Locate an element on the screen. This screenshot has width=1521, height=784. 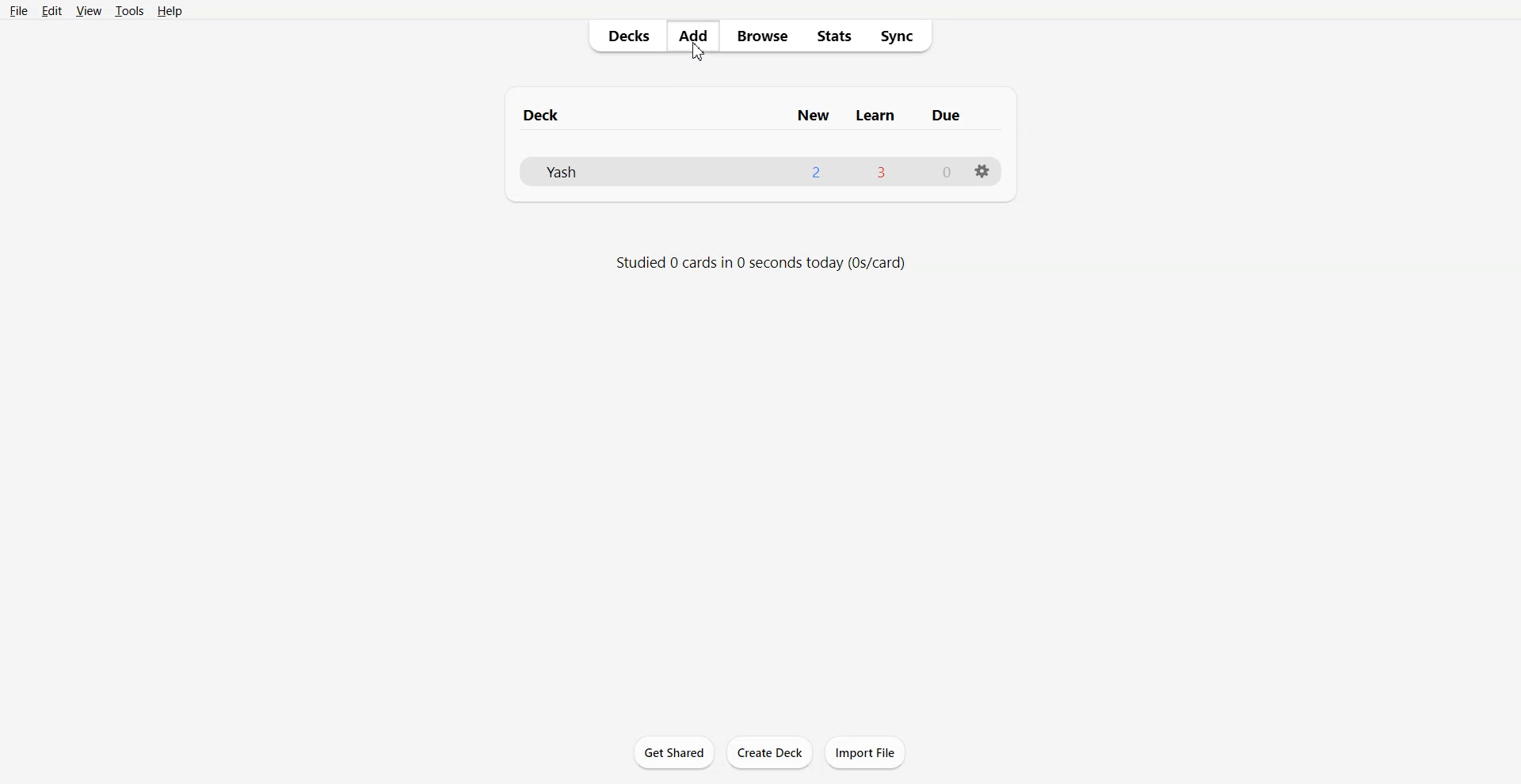
Sync is located at coordinates (902, 36).